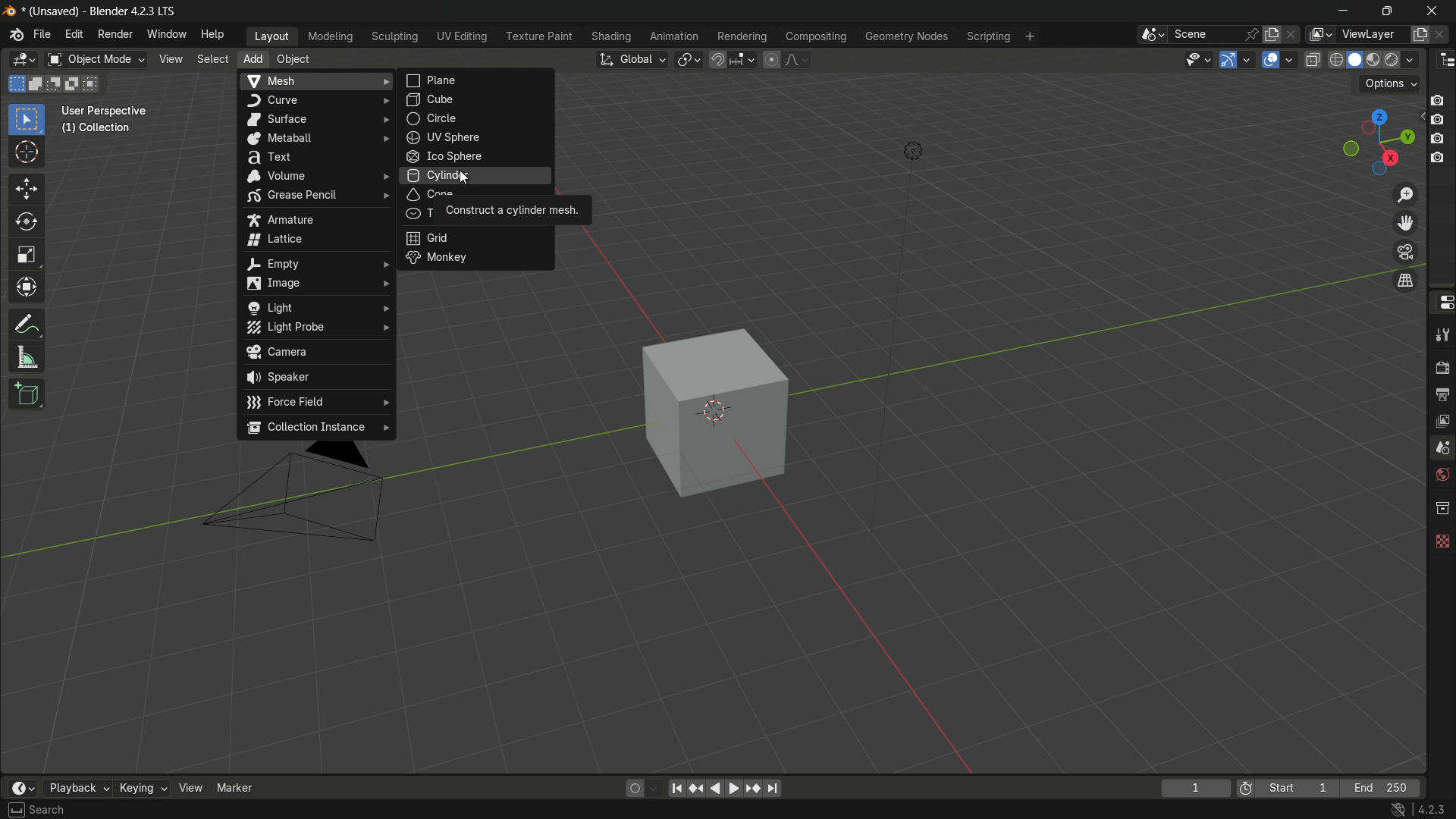  What do you see at coordinates (42, 35) in the screenshot?
I see `file menu` at bounding box center [42, 35].